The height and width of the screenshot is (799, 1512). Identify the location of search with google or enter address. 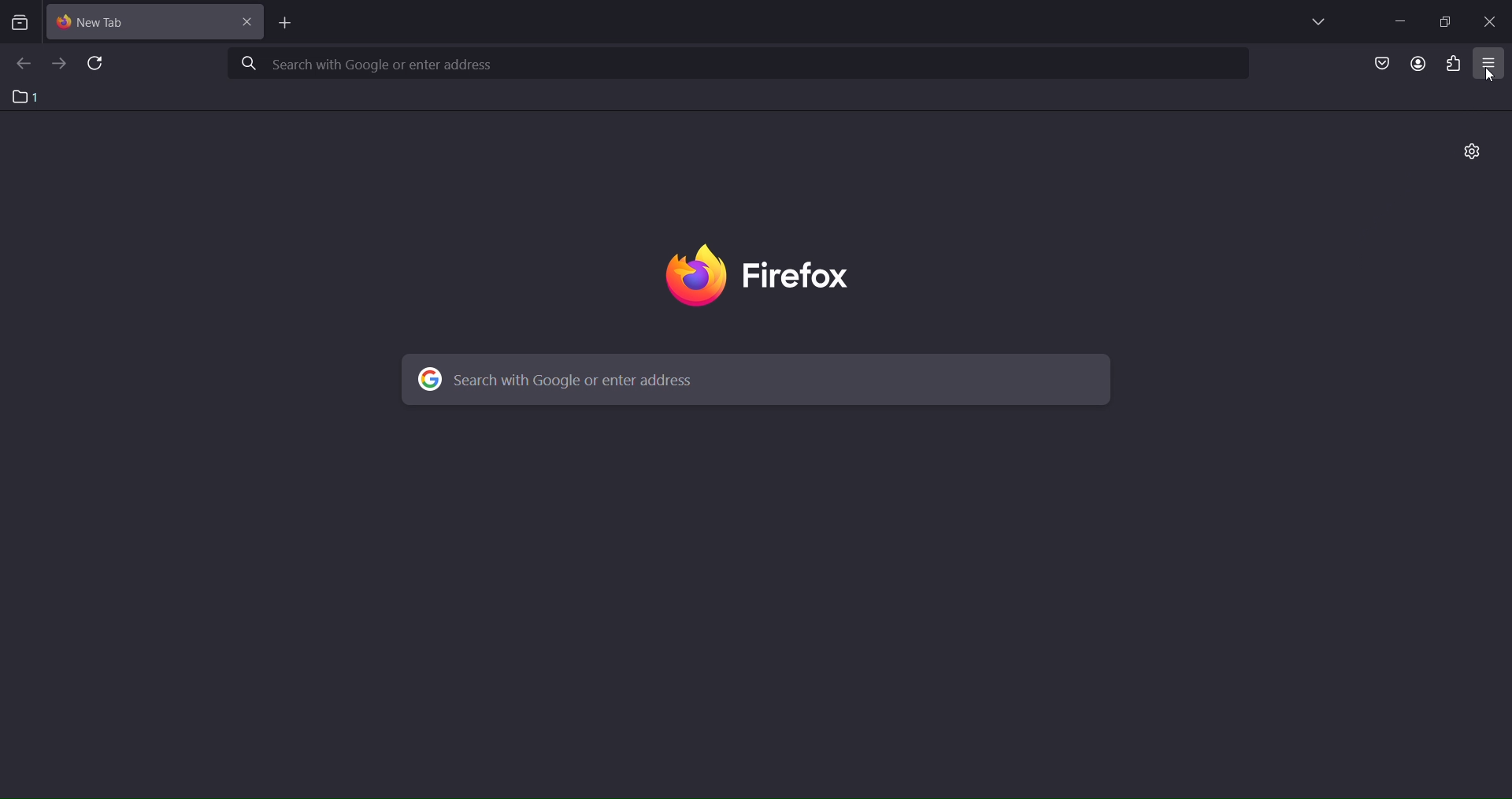
(757, 382).